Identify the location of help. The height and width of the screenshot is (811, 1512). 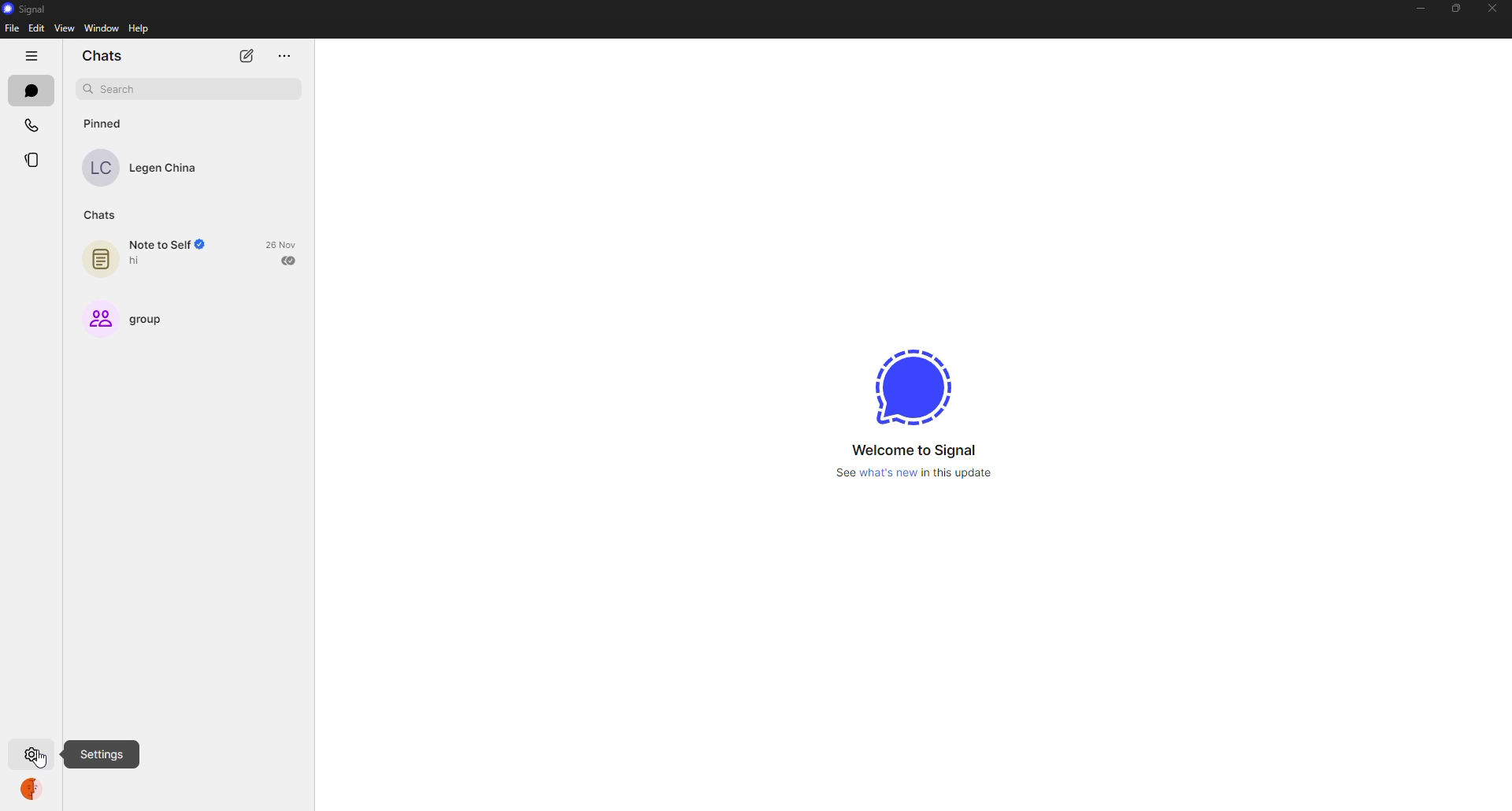
(140, 28).